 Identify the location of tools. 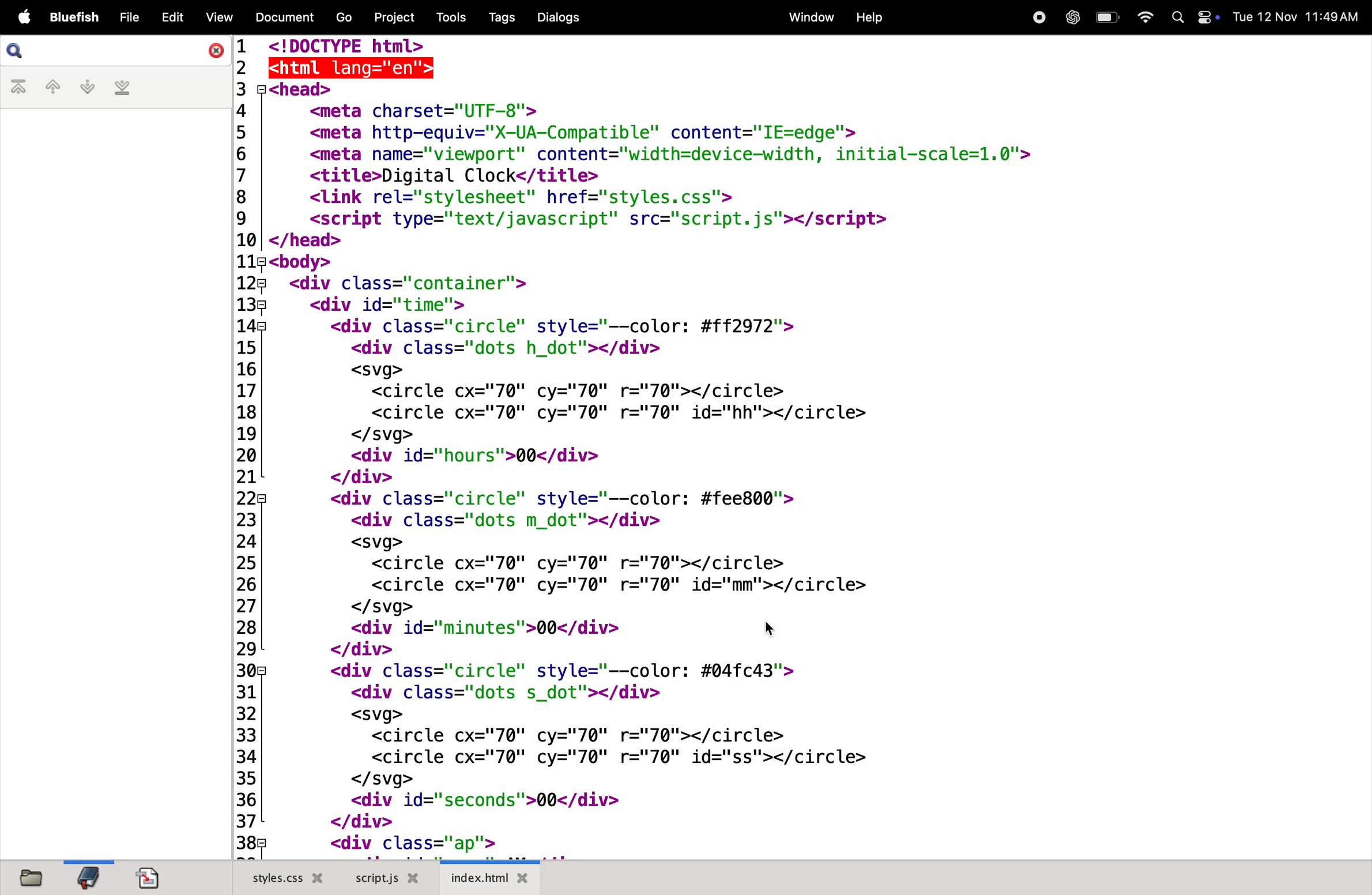
(450, 17).